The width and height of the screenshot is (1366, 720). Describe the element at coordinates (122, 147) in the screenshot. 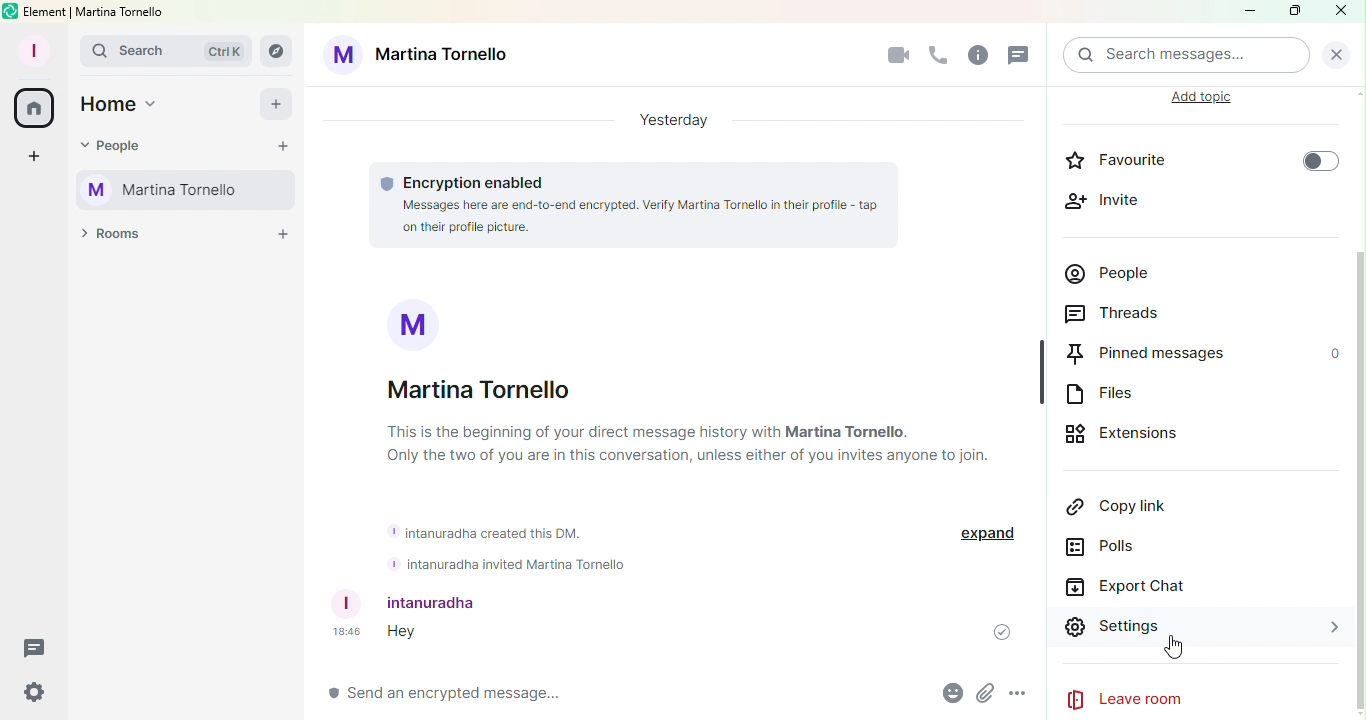

I see `People` at that location.